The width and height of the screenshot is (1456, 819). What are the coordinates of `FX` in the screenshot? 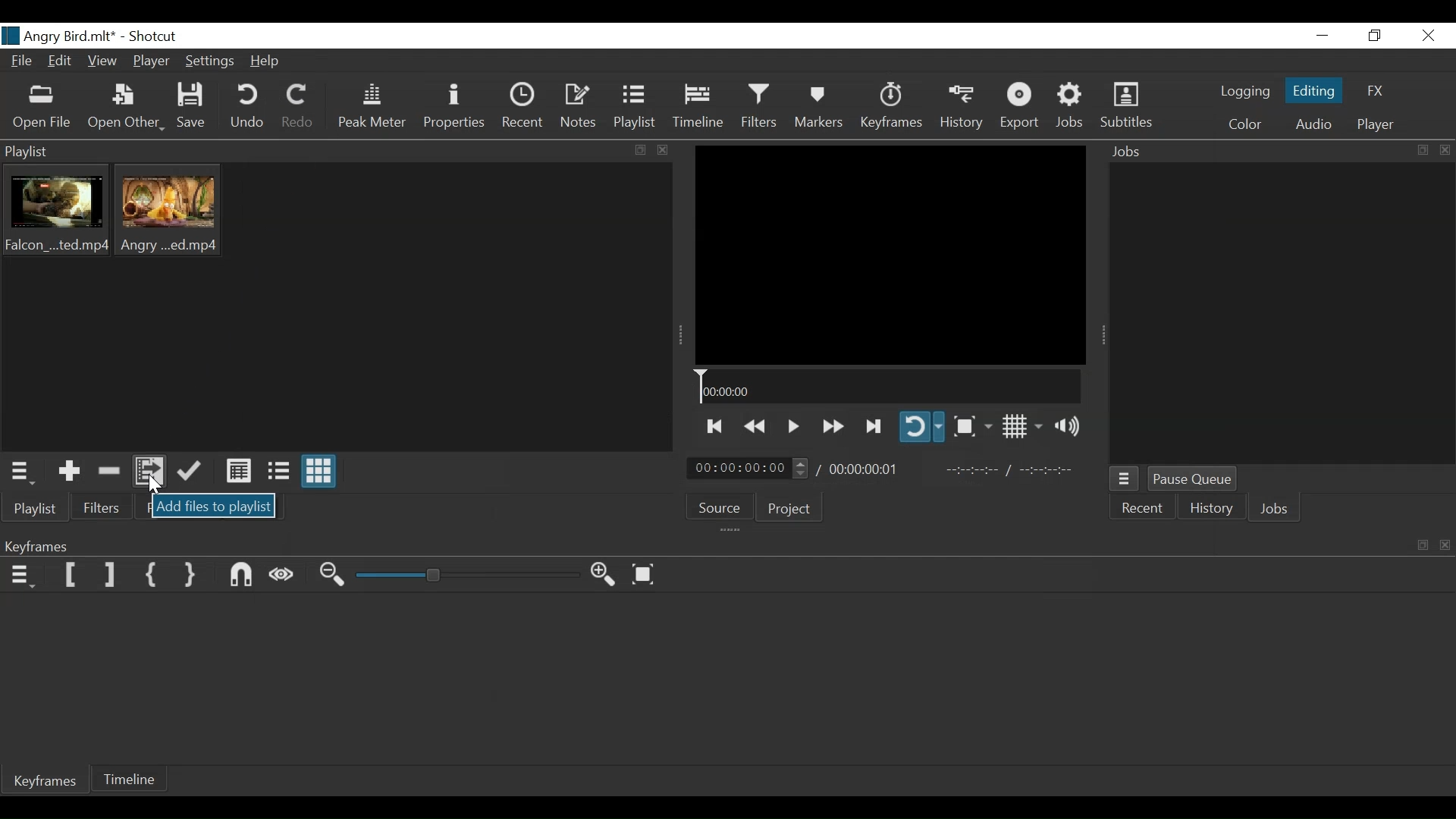 It's located at (1380, 89).